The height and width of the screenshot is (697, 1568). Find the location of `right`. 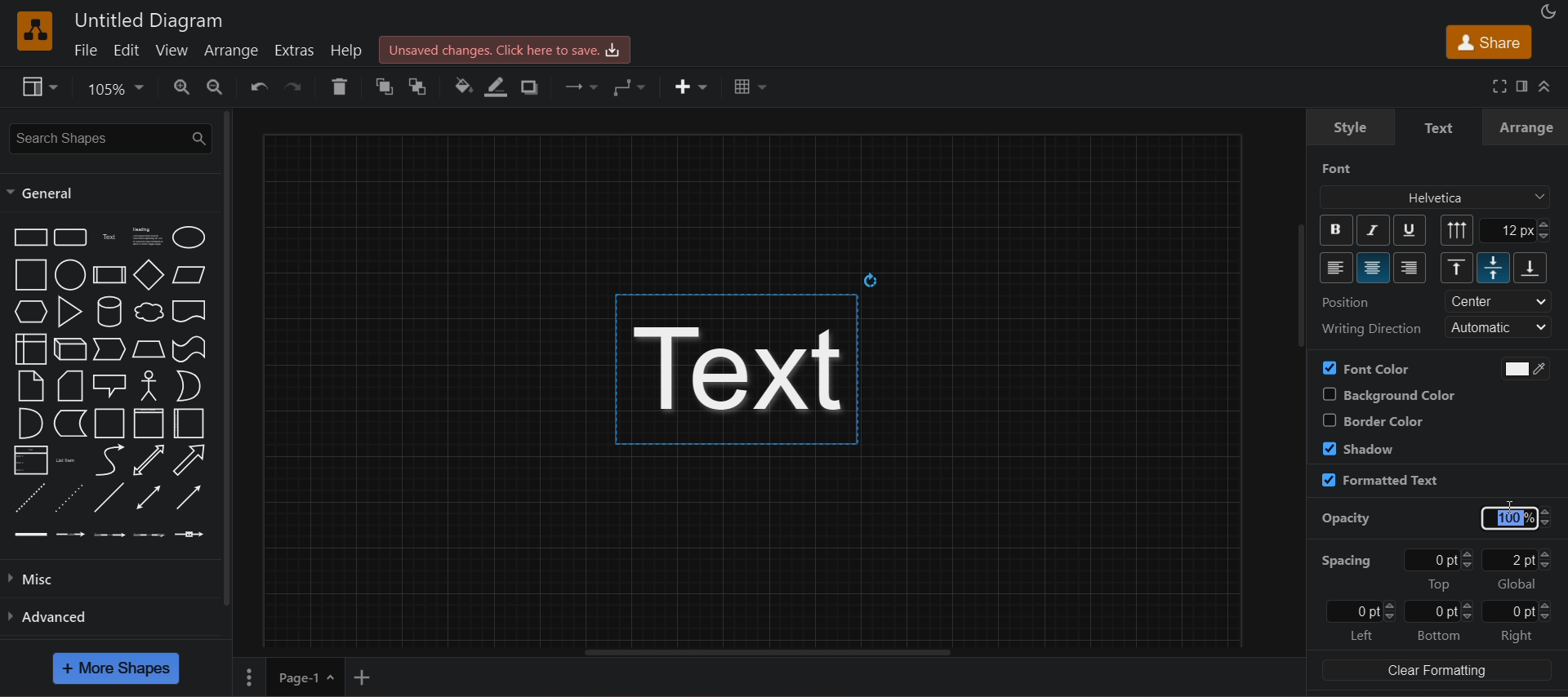

right is located at coordinates (1518, 637).